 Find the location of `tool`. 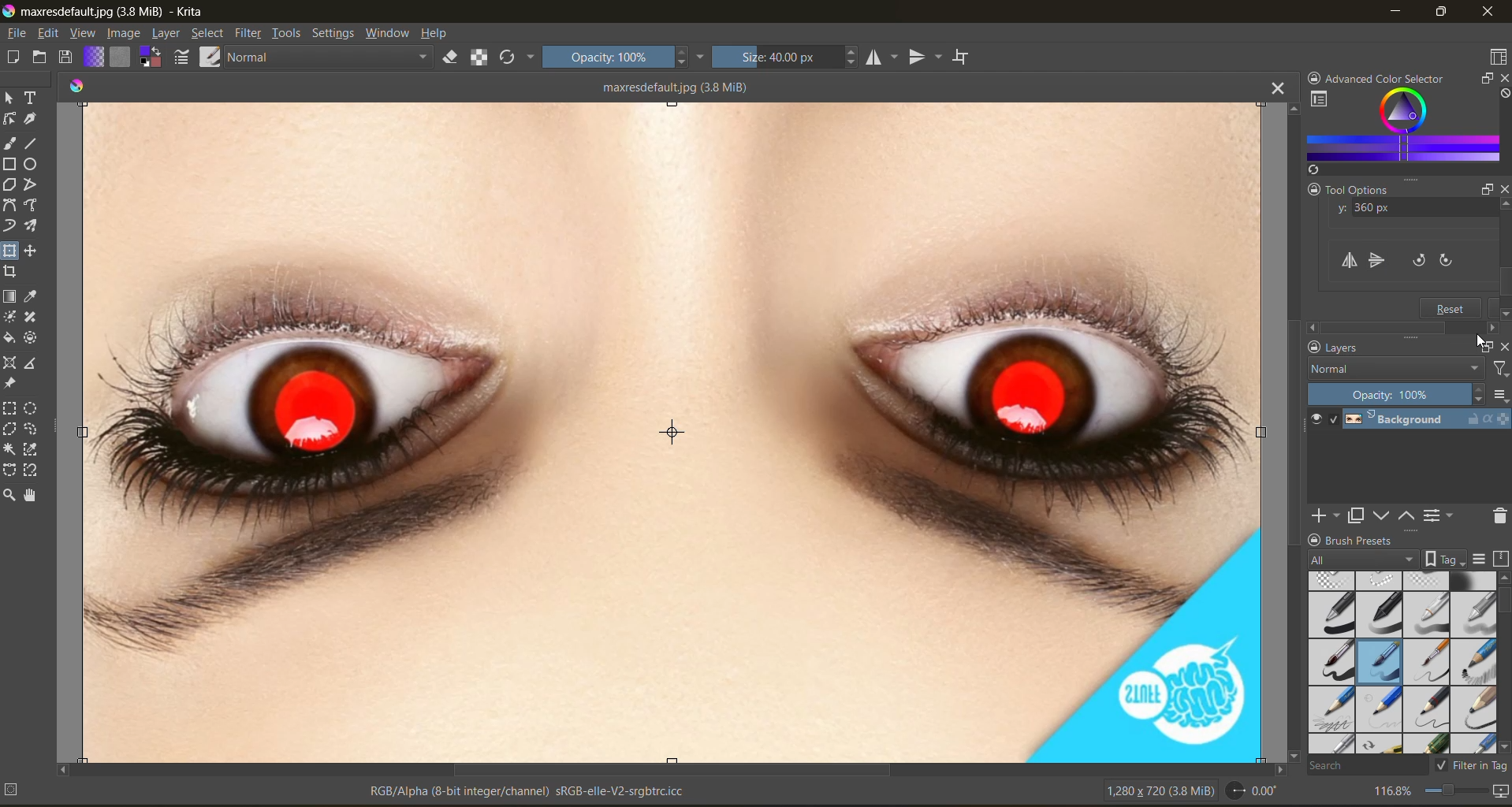

tool is located at coordinates (33, 407).